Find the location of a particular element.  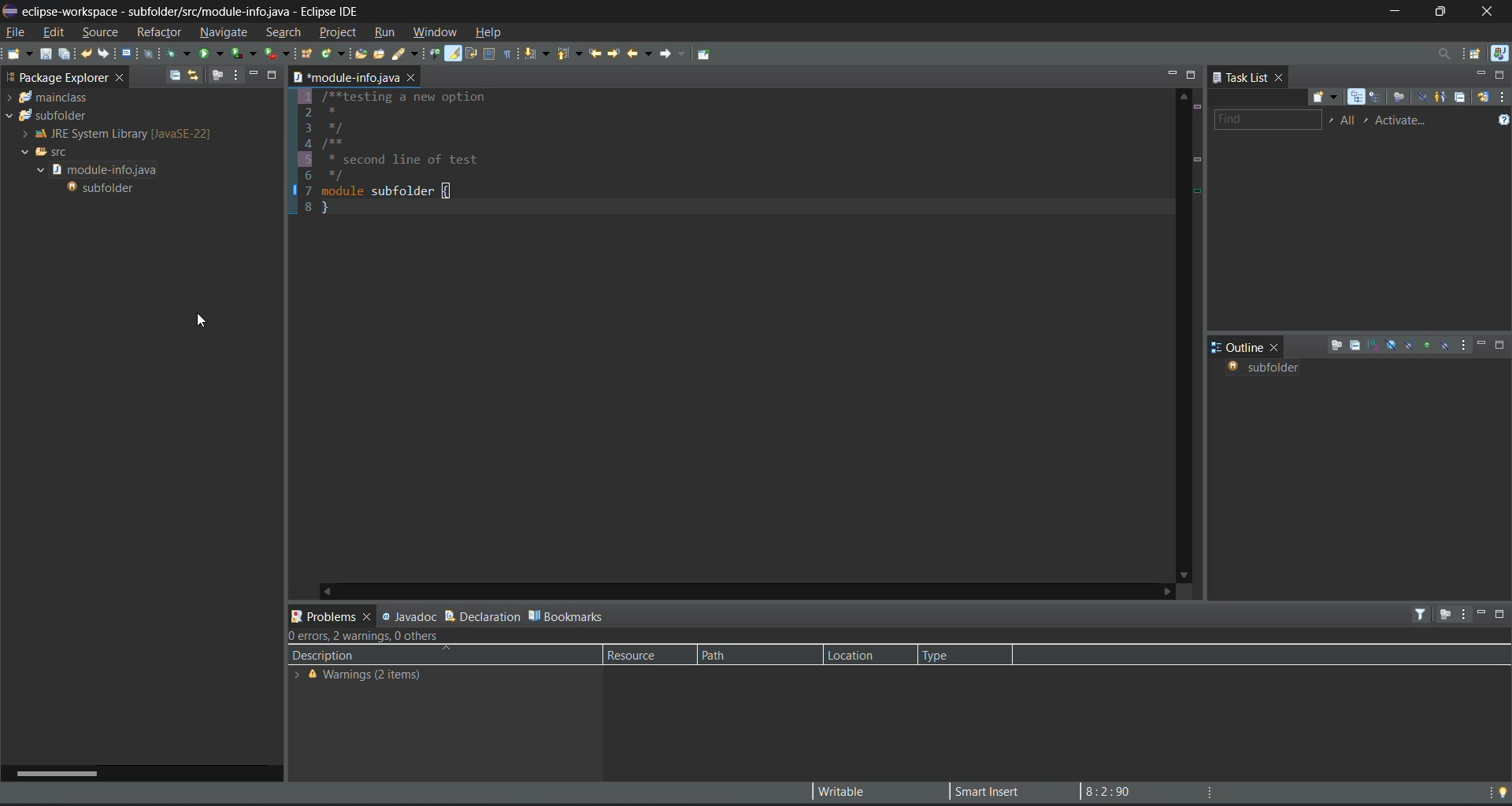

bookmark added is located at coordinates (295, 190).